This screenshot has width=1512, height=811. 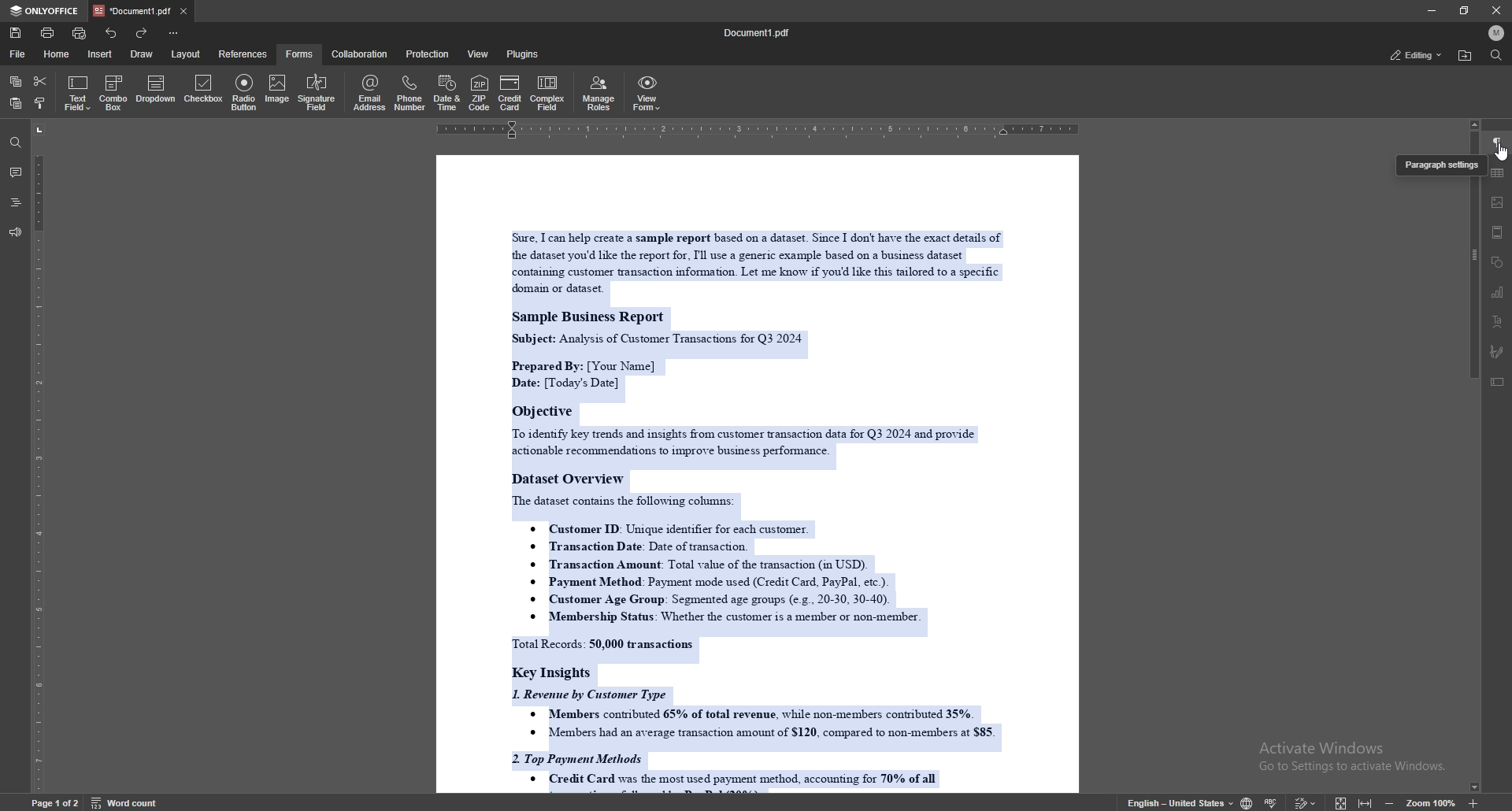 I want to click on cursor description, so click(x=1440, y=166).